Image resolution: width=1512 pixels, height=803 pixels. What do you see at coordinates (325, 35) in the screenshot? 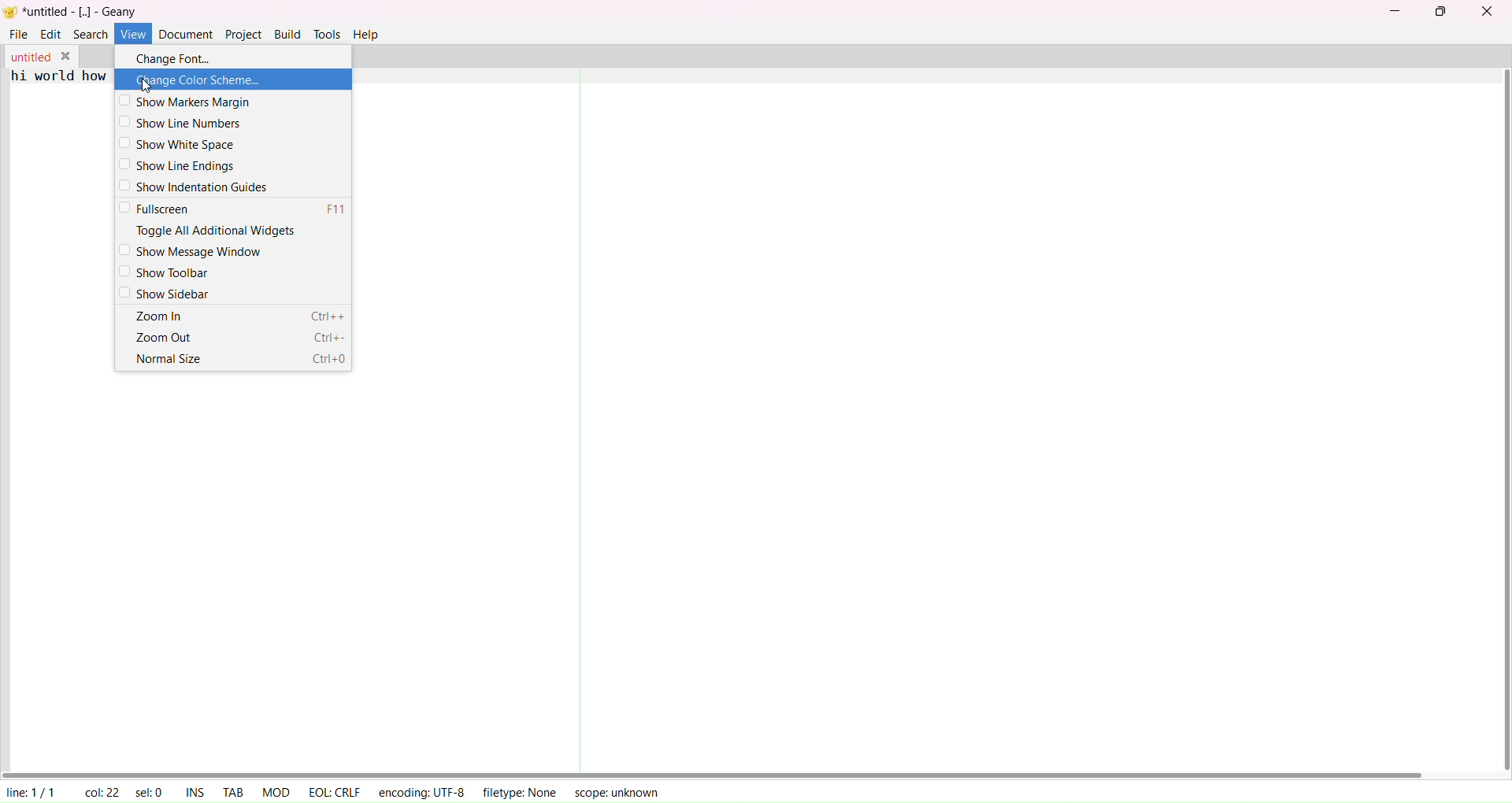
I see `tools` at bounding box center [325, 35].